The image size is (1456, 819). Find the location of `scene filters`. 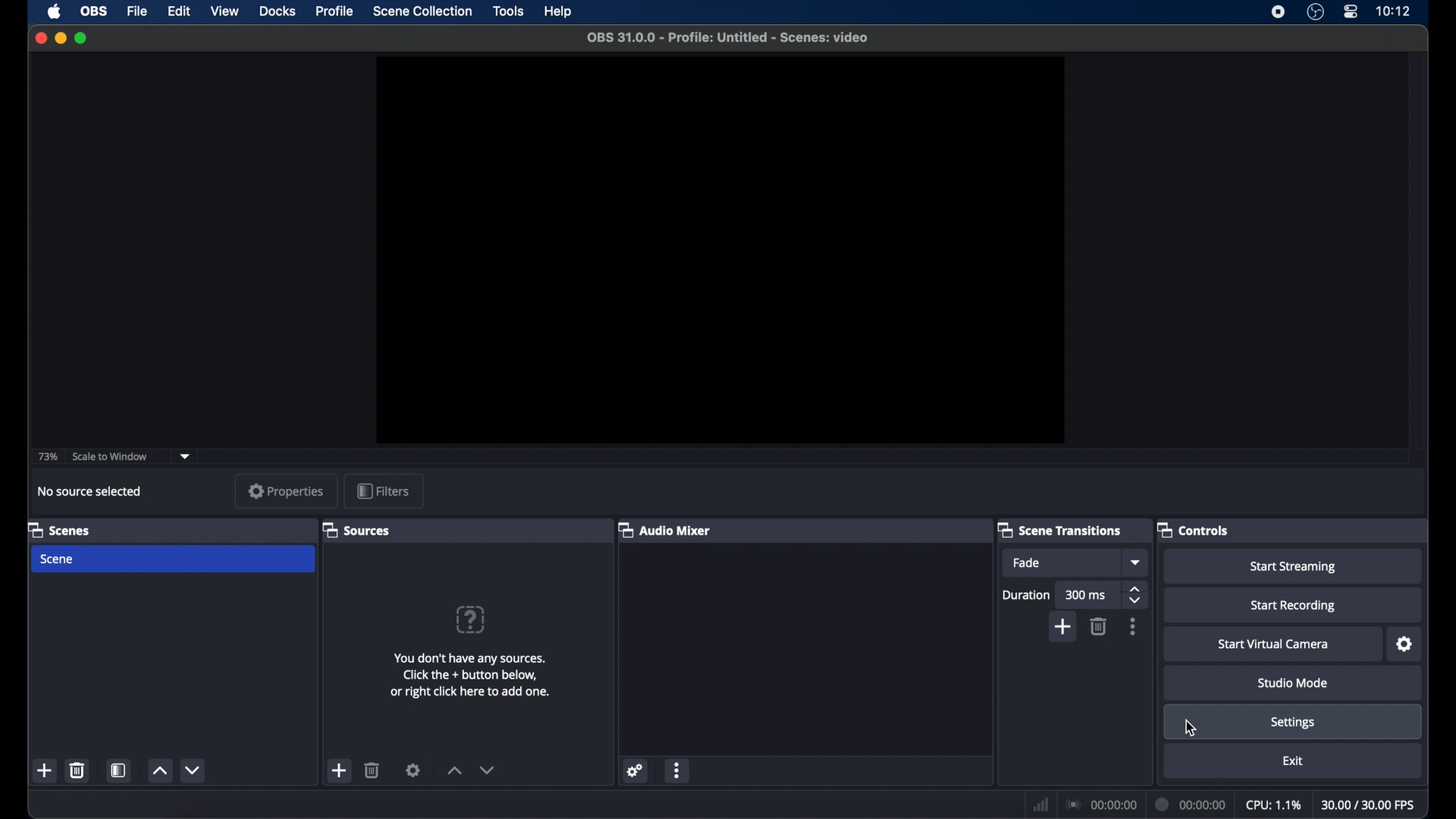

scene filters is located at coordinates (120, 771).